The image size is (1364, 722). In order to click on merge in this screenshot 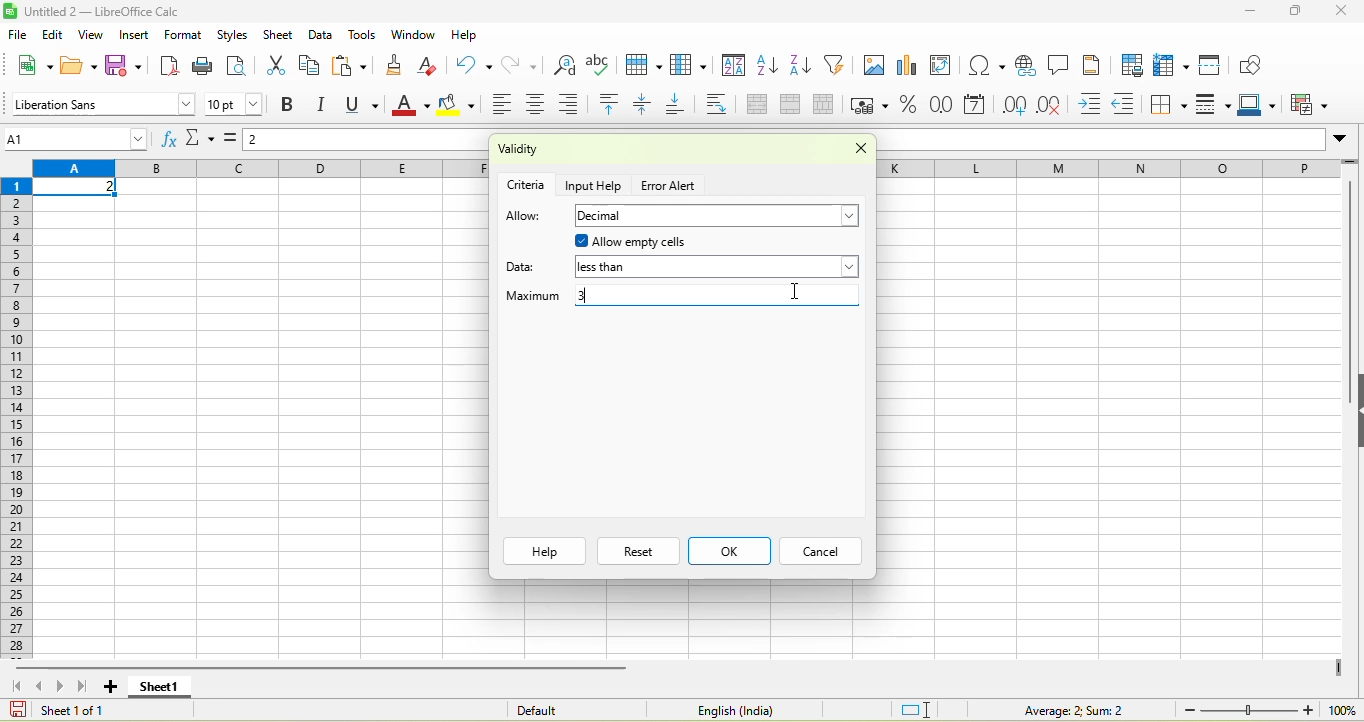, I will do `click(796, 106)`.